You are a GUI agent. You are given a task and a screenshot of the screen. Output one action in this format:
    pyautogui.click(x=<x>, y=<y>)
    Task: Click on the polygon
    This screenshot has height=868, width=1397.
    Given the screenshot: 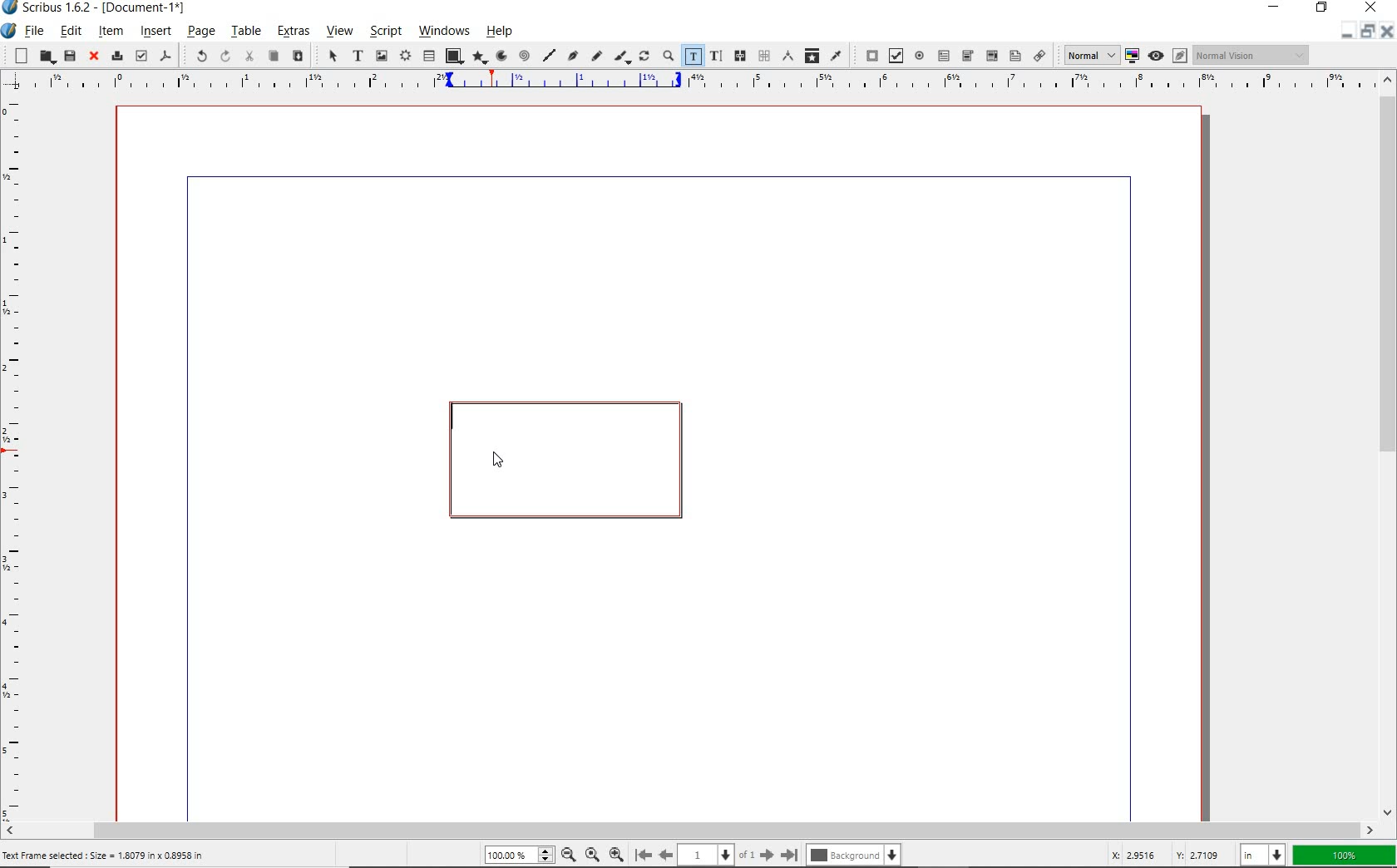 What is the action you would take?
    pyautogui.click(x=481, y=58)
    